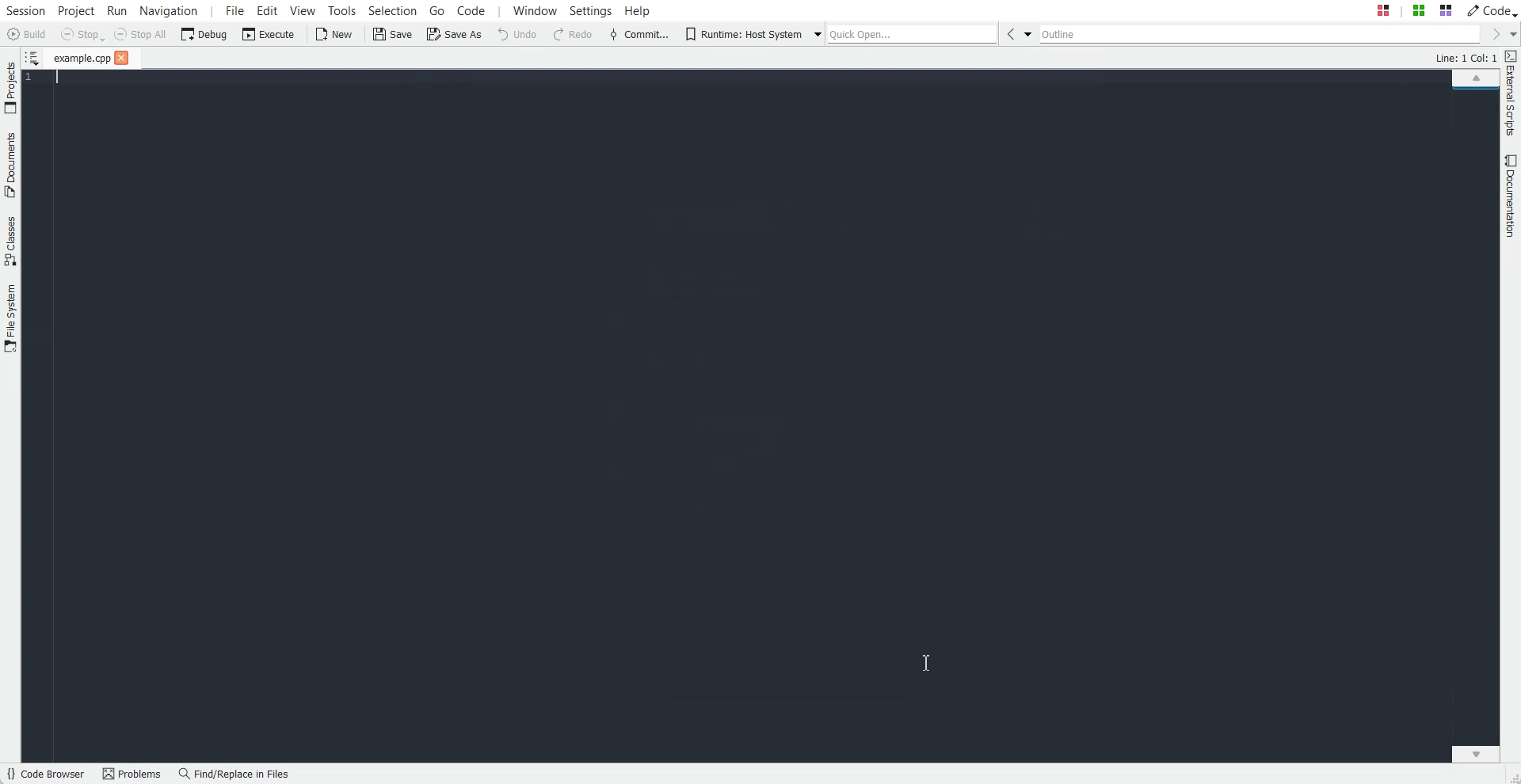  What do you see at coordinates (1475, 76) in the screenshot?
I see `Scroll up` at bounding box center [1475, 76].